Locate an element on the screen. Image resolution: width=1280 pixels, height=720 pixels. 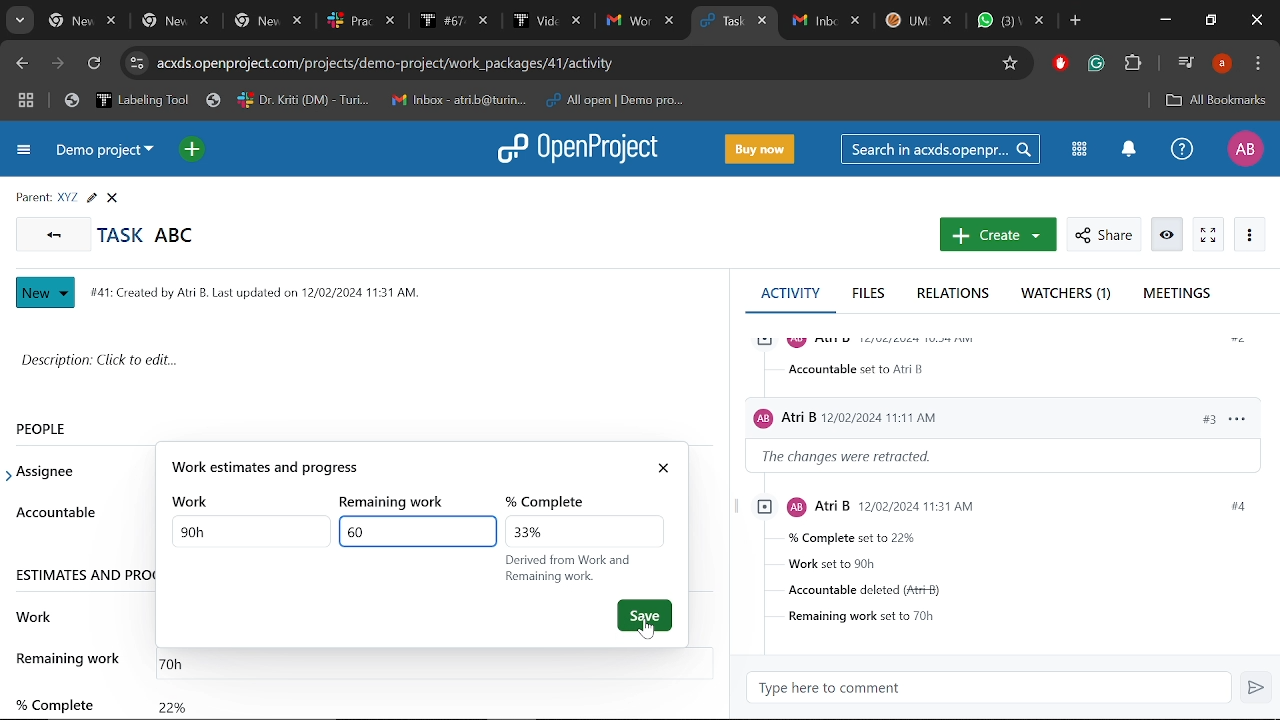
close is located at coordinates (667, 469).